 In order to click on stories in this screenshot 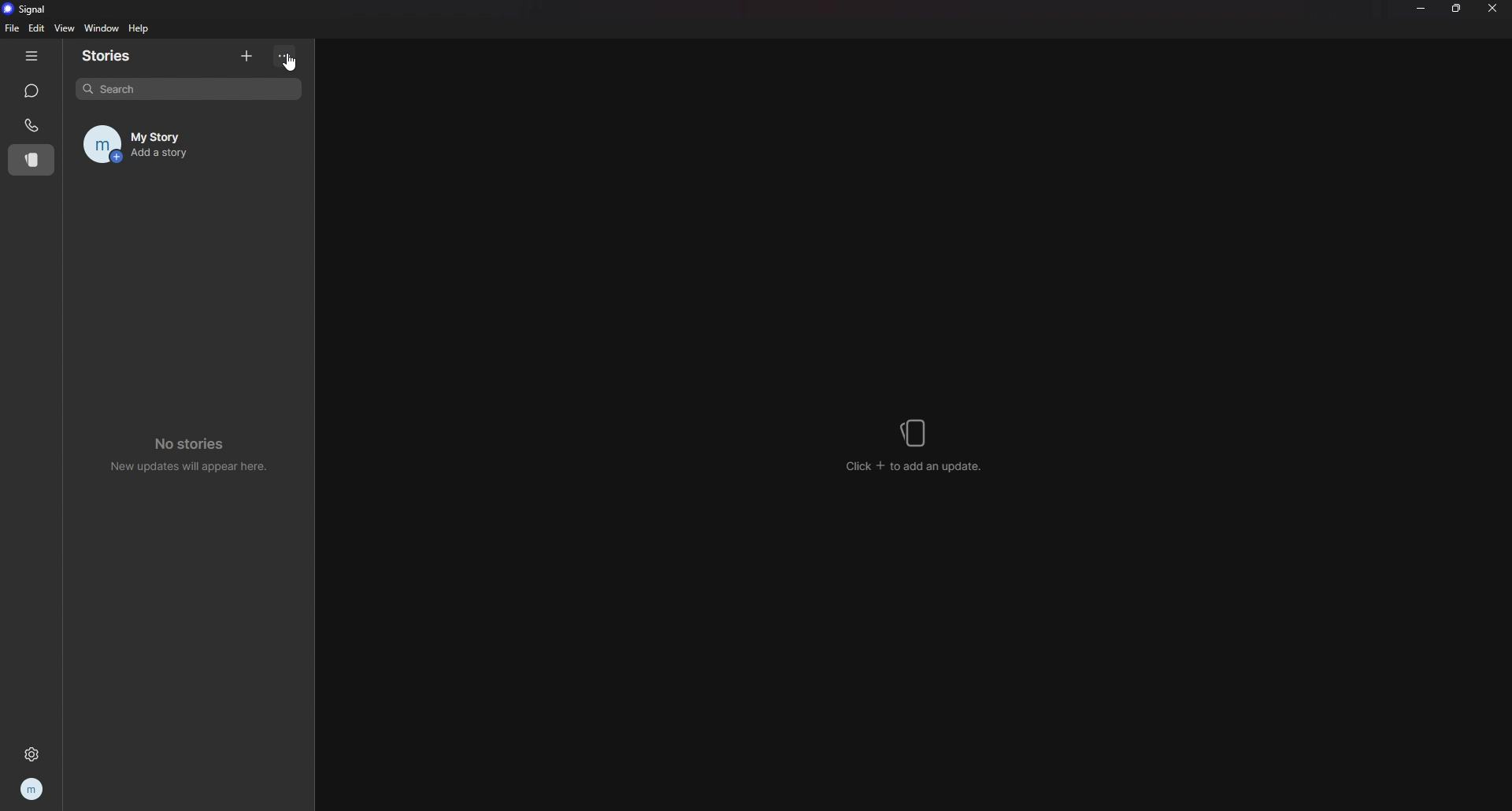, I will do `click(32, 160)`.